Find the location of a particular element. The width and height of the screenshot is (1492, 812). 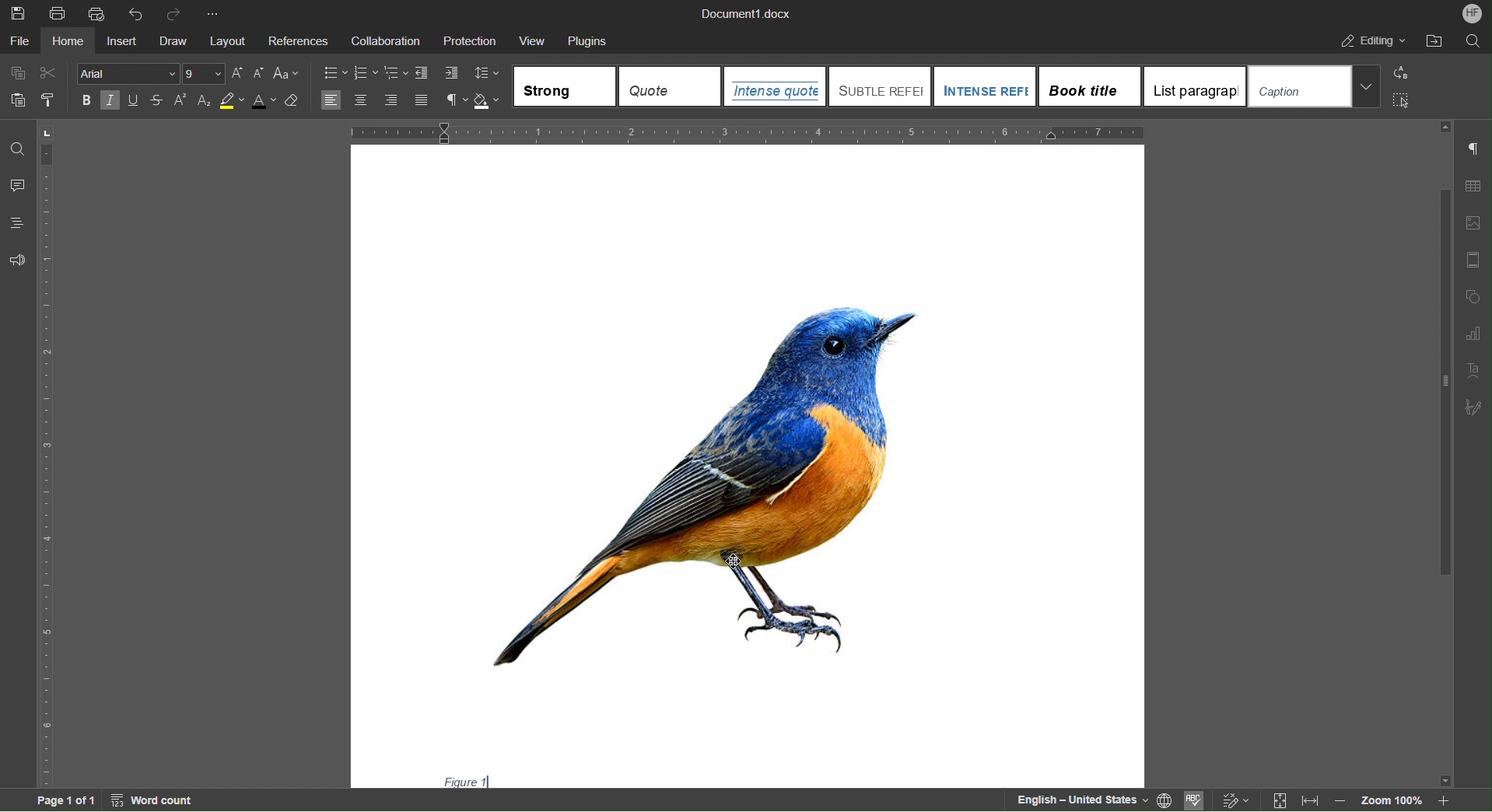

Increase Font Size is located at coordinates (239, 73).